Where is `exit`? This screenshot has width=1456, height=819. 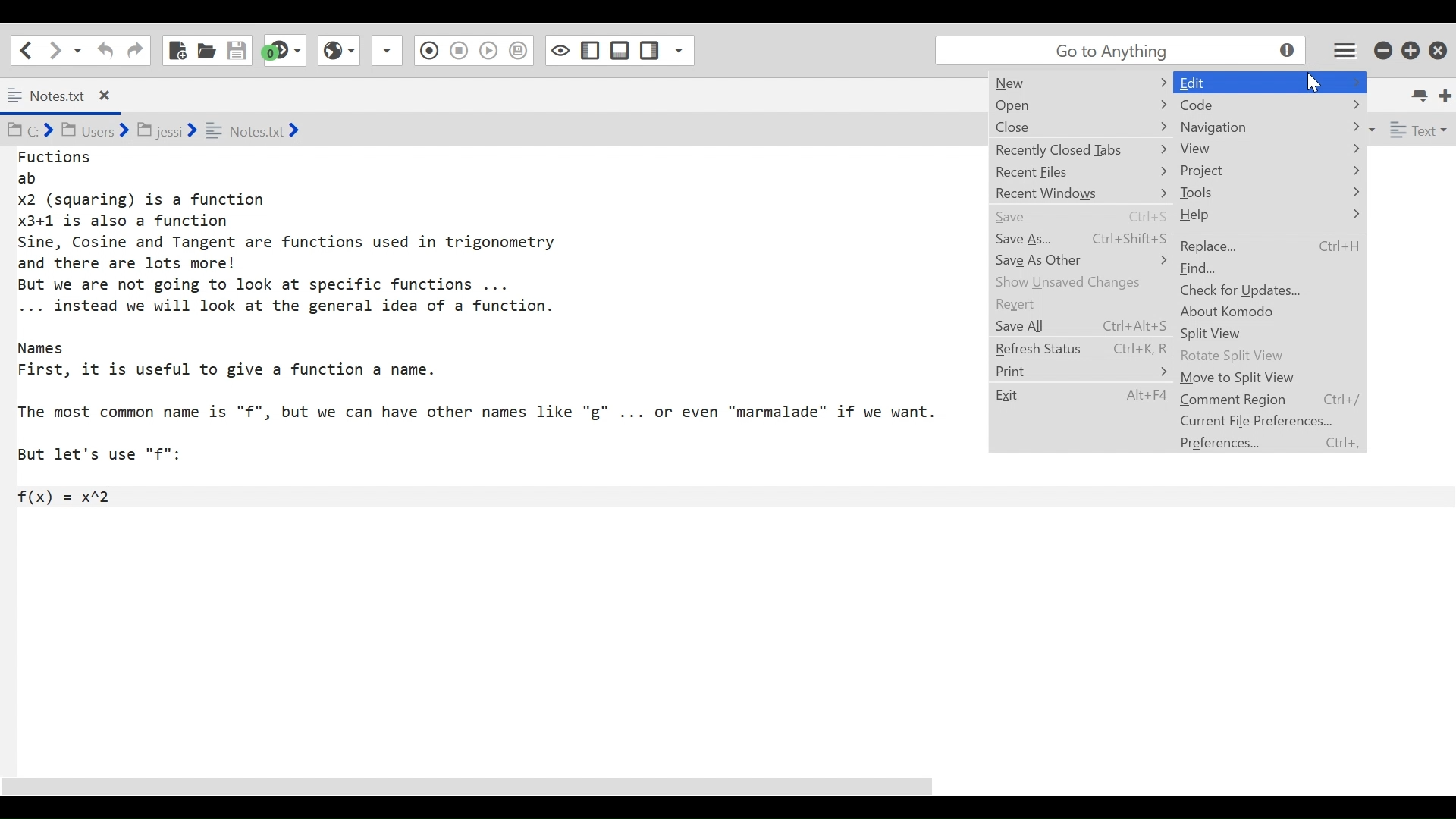 exit is located at coordinates (1040, 395).